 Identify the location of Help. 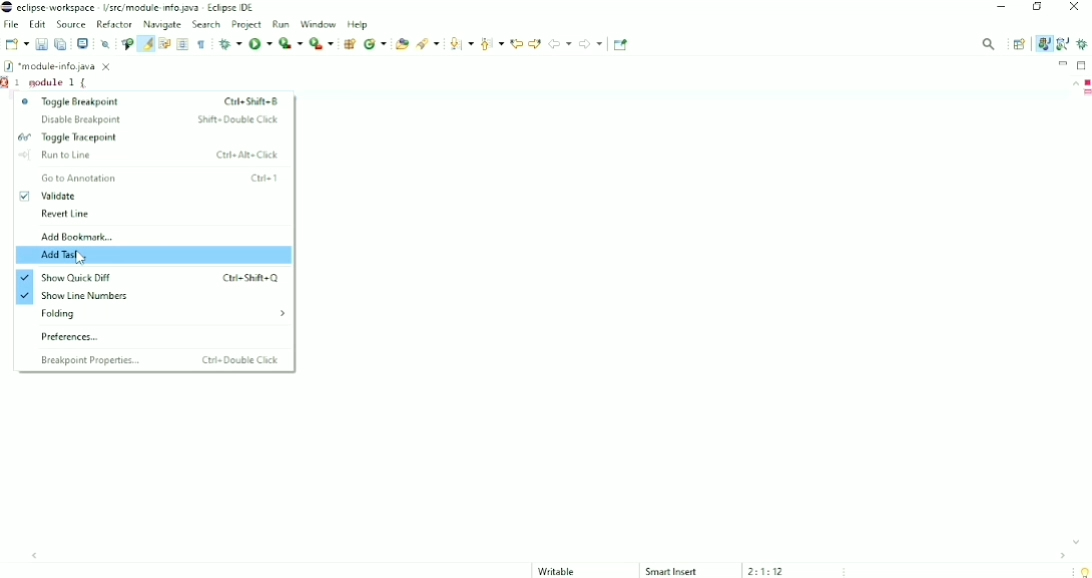
(358, 24).